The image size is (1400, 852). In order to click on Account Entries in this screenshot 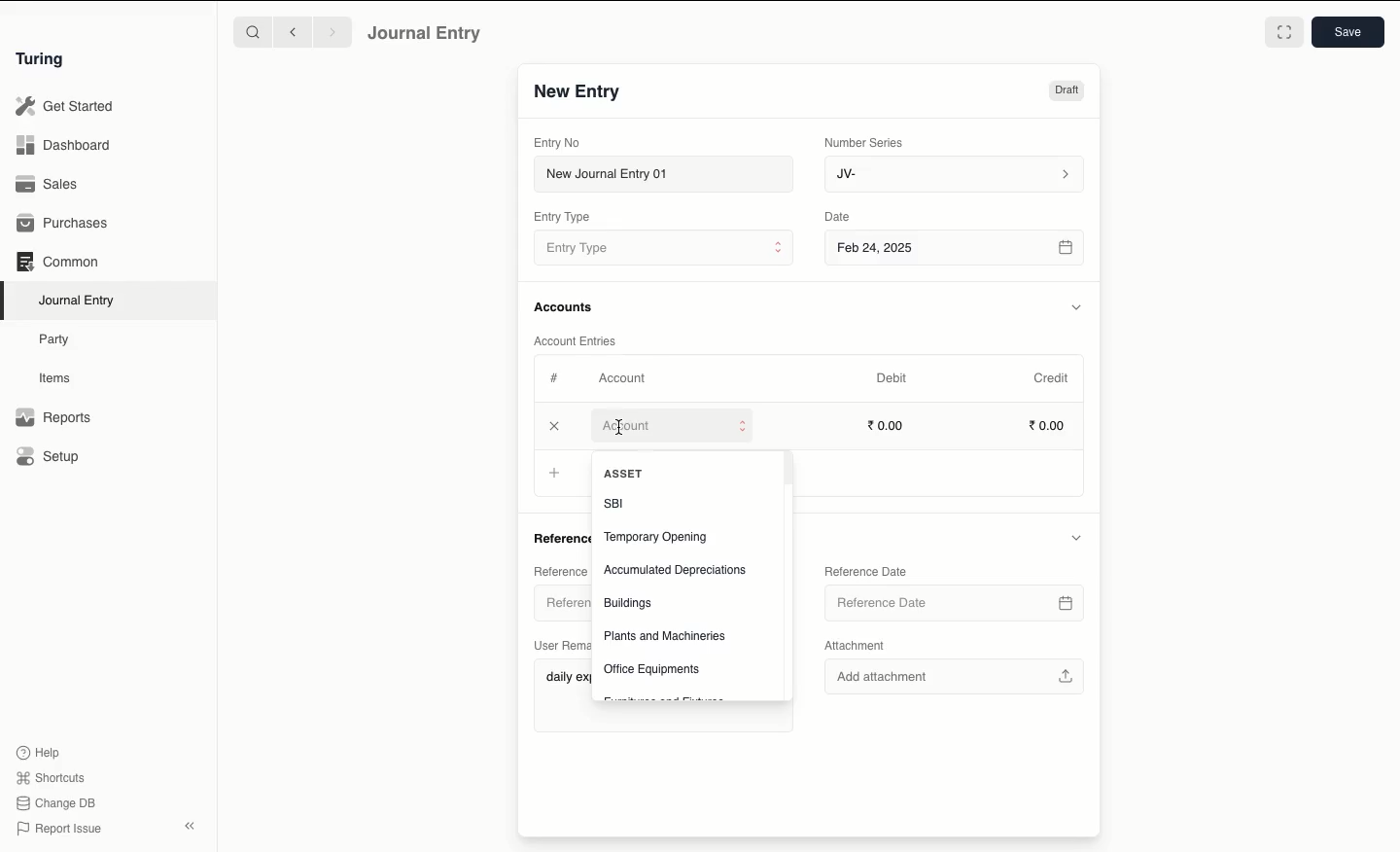, I will do `click(578, 340)`.